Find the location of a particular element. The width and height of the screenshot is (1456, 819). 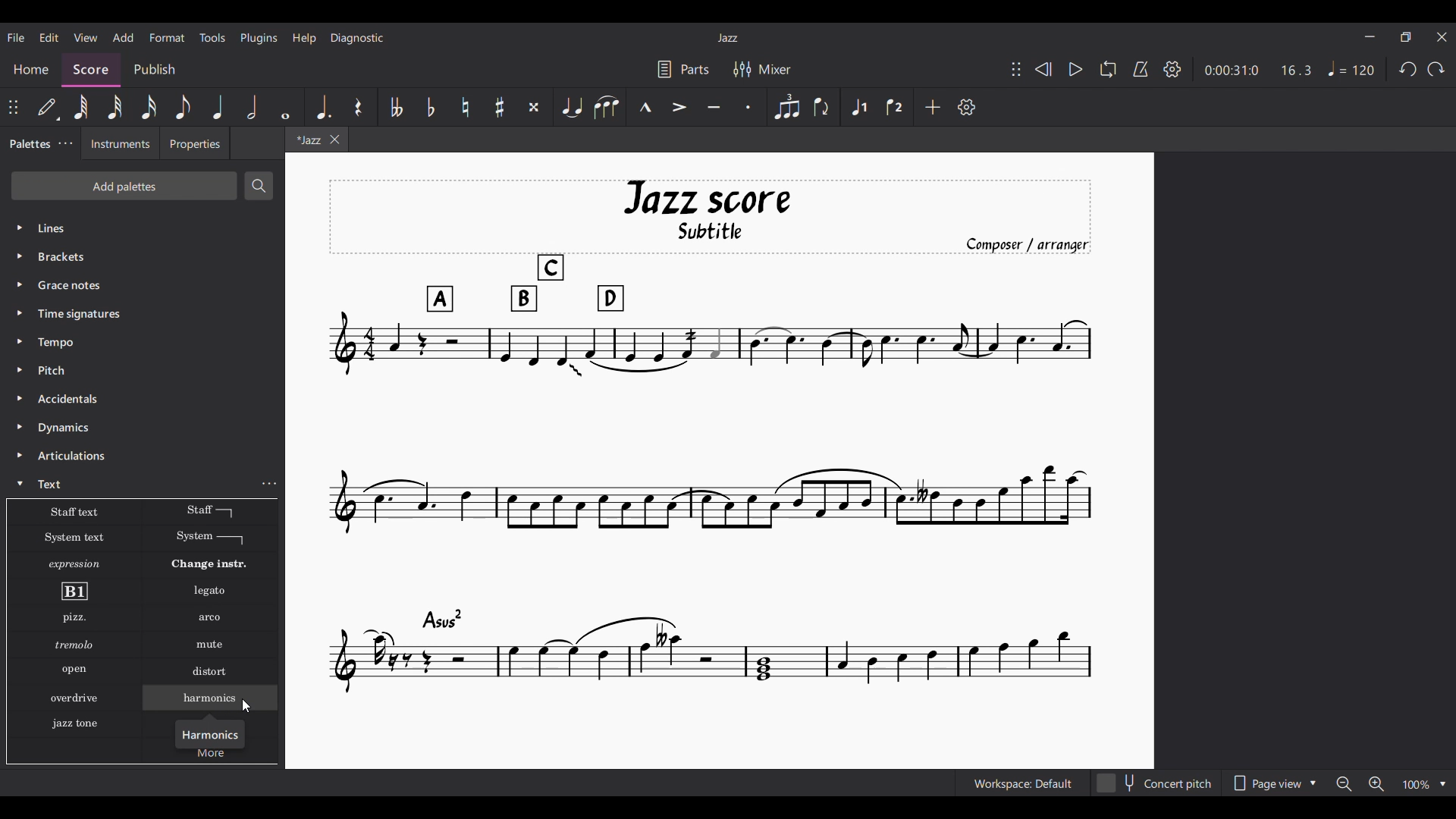

Harmonics is located at coordinates (212, 733).